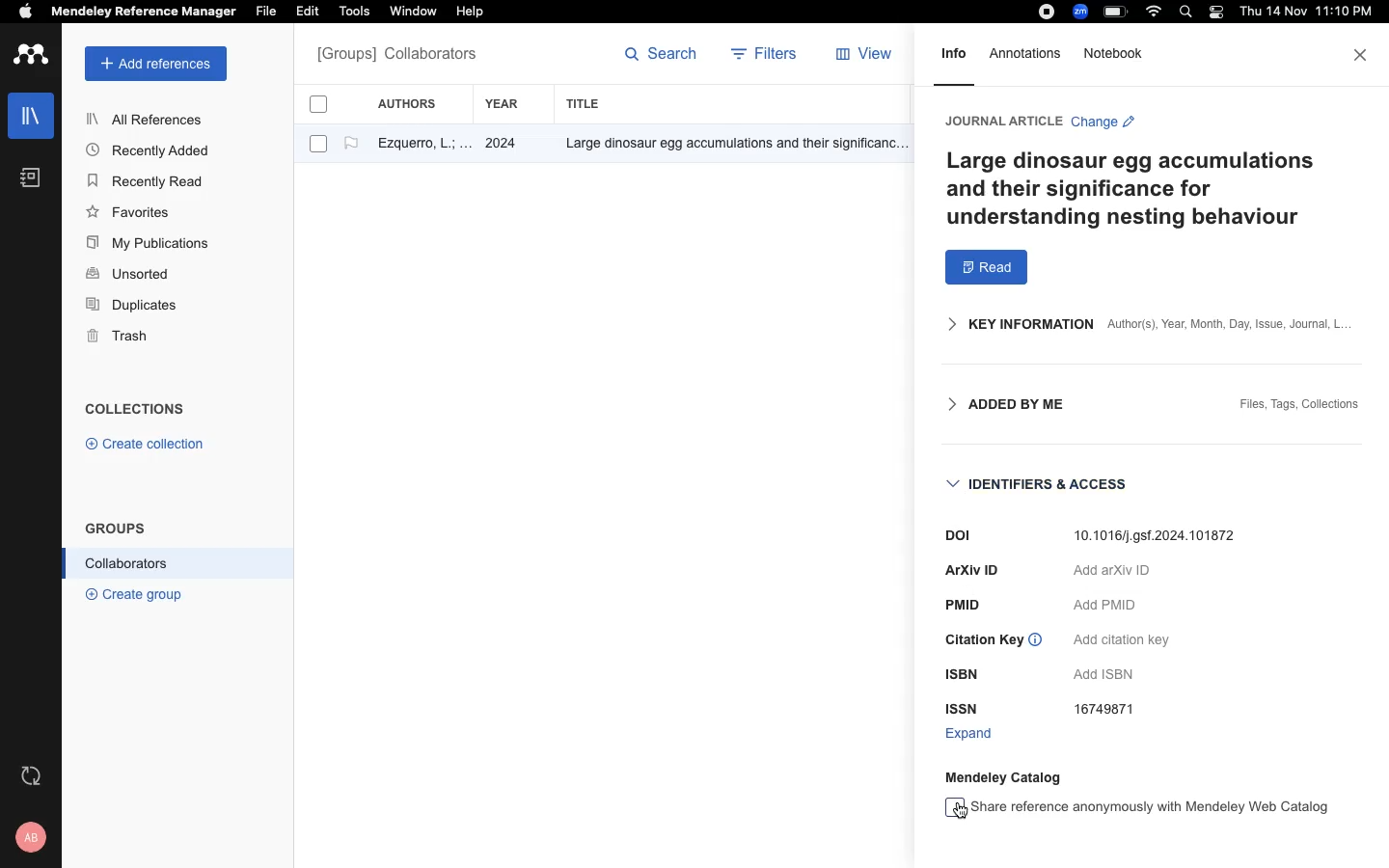 The image size is (1389, 868). What do you see at coordinates (1300, 406) in the screenshot?
I see `Files, Tags, Collections` at bounding box center [1300, 406].